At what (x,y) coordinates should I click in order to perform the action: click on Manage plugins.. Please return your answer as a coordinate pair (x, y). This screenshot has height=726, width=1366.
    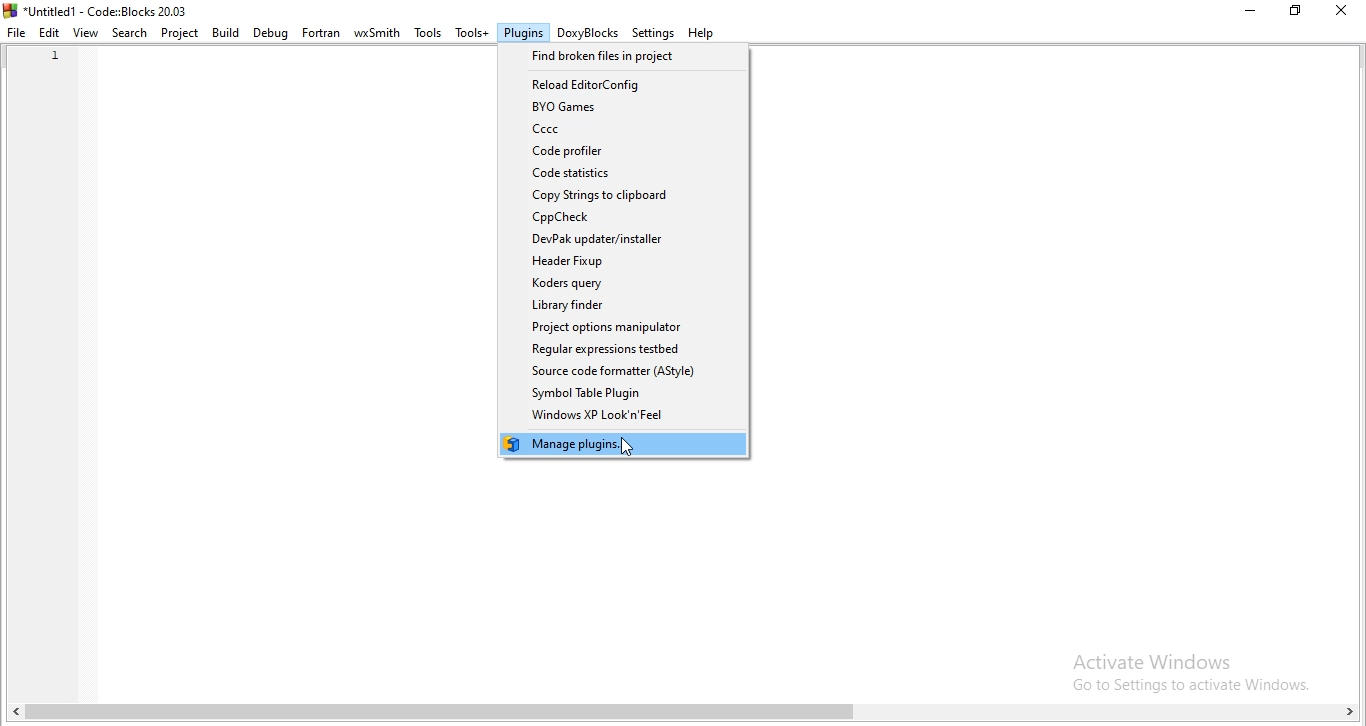
    Looking at the image, I should click on (622, 444).